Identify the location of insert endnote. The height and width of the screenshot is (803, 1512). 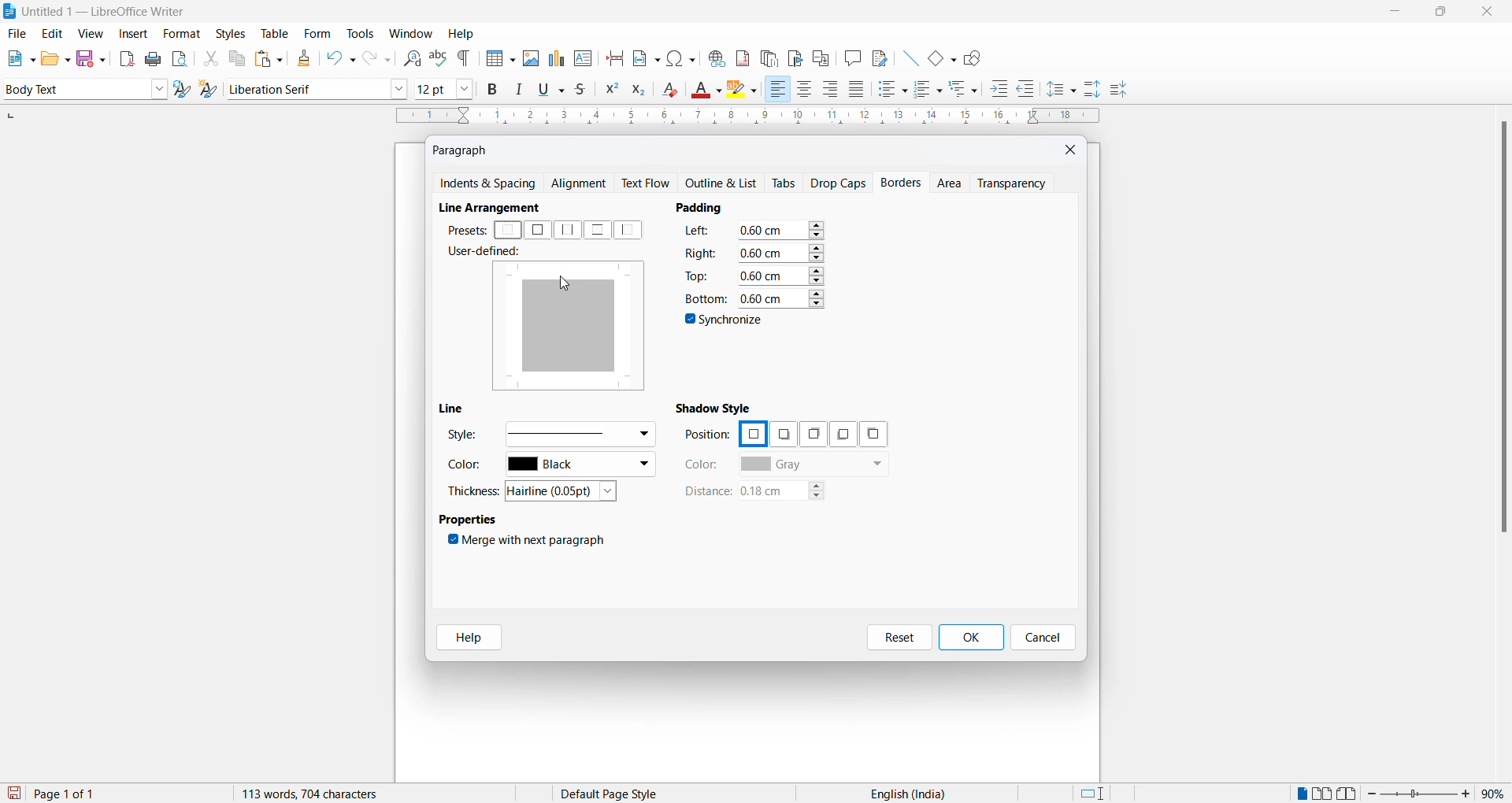
(766, 56).